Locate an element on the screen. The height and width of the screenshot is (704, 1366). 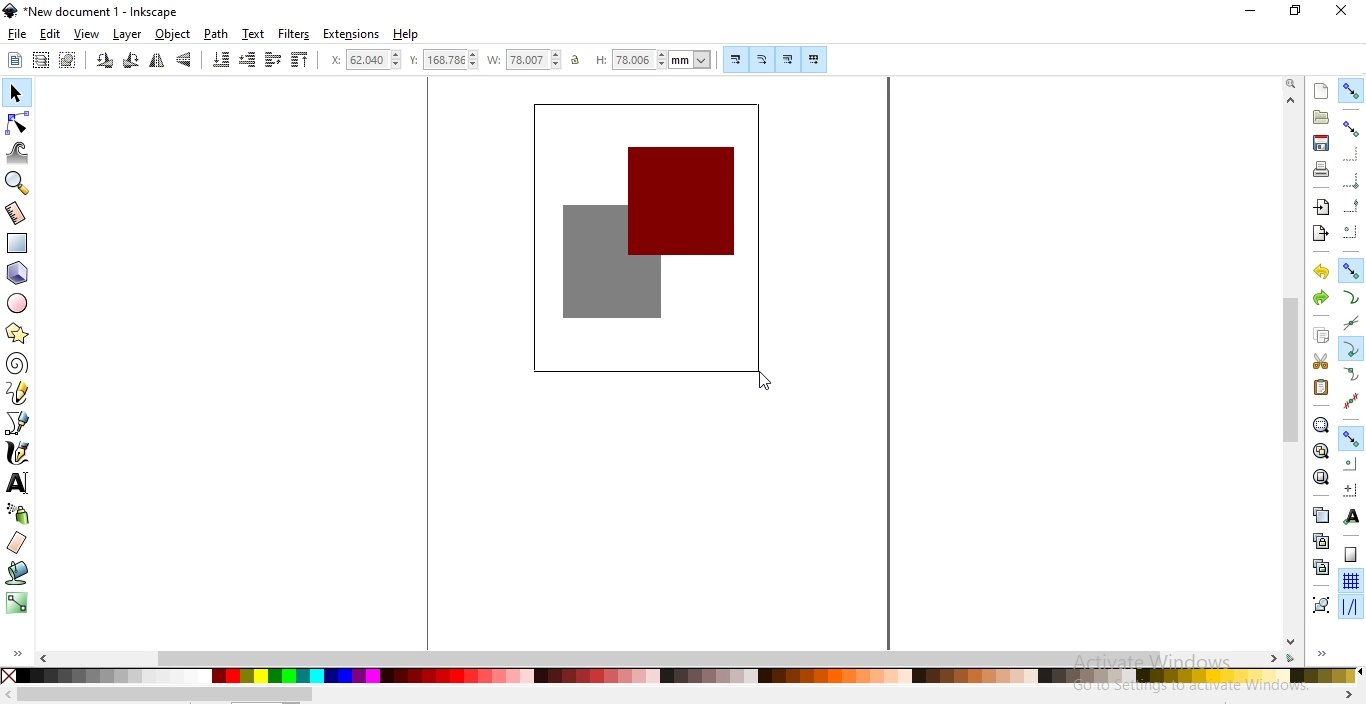
undo is located at coordinates (1321, 272).